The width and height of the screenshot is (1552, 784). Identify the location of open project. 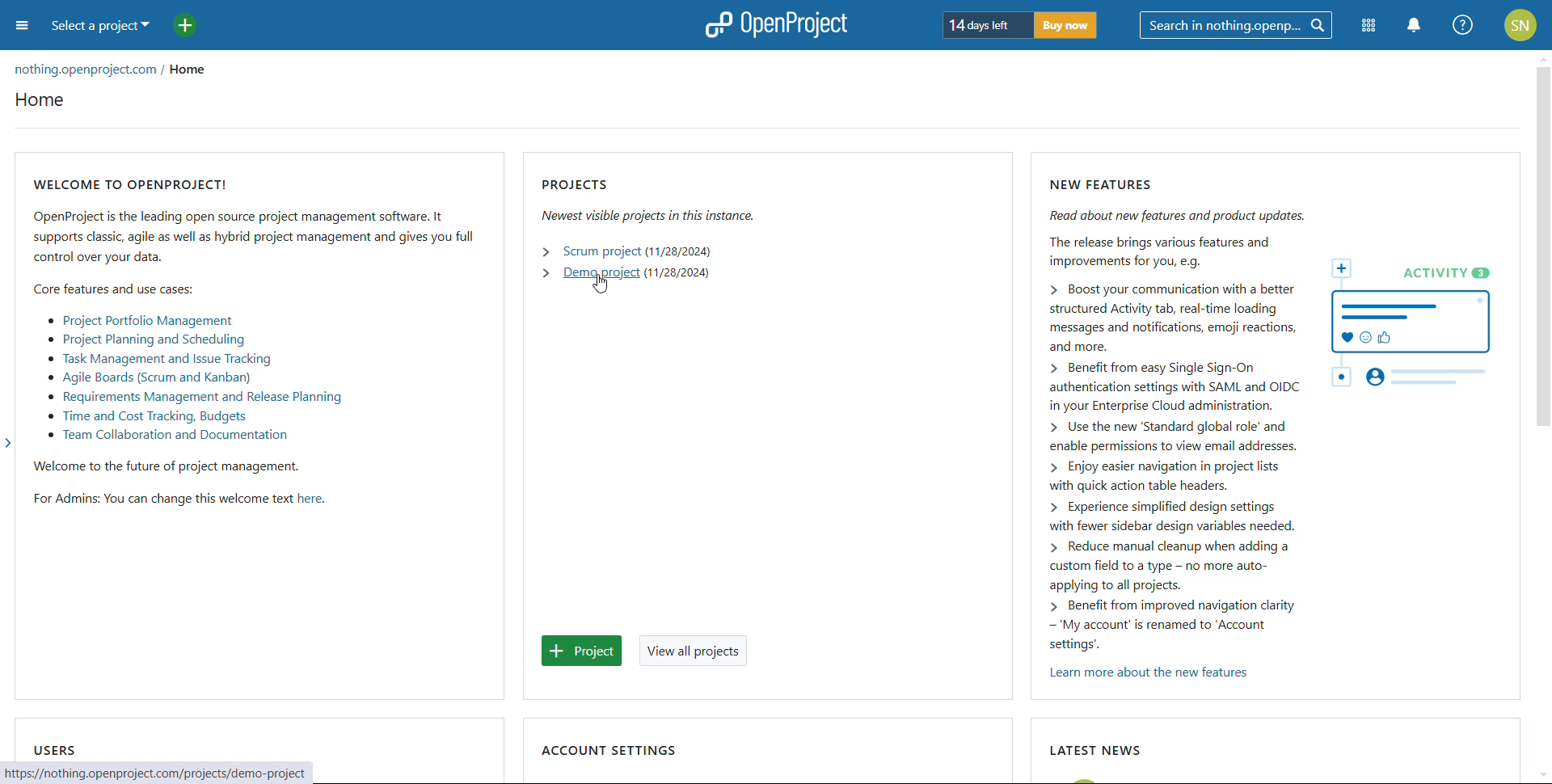
(775, 24).